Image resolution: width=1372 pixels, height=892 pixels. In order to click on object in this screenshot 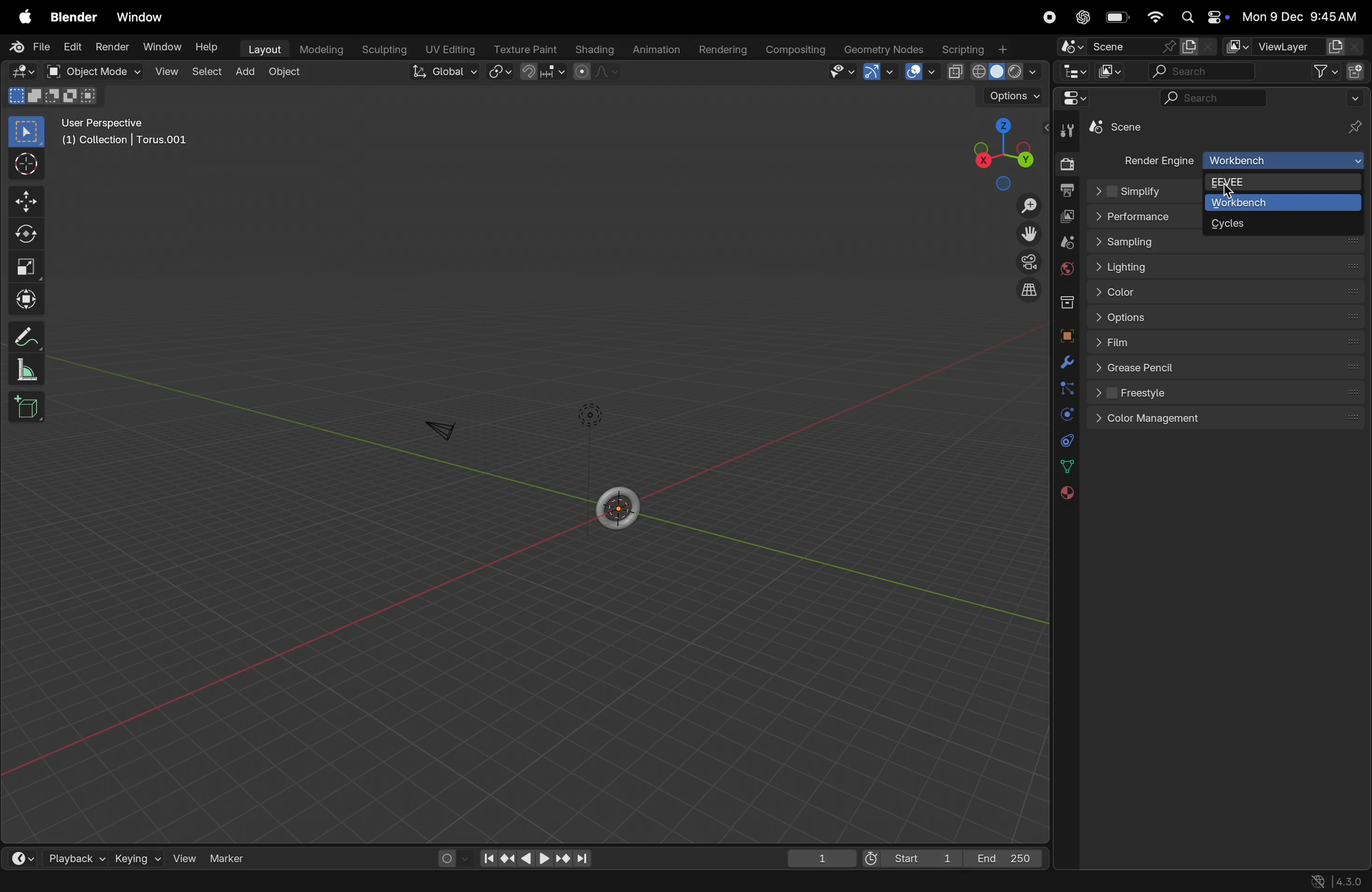, I will do `click(1065, 335)`.